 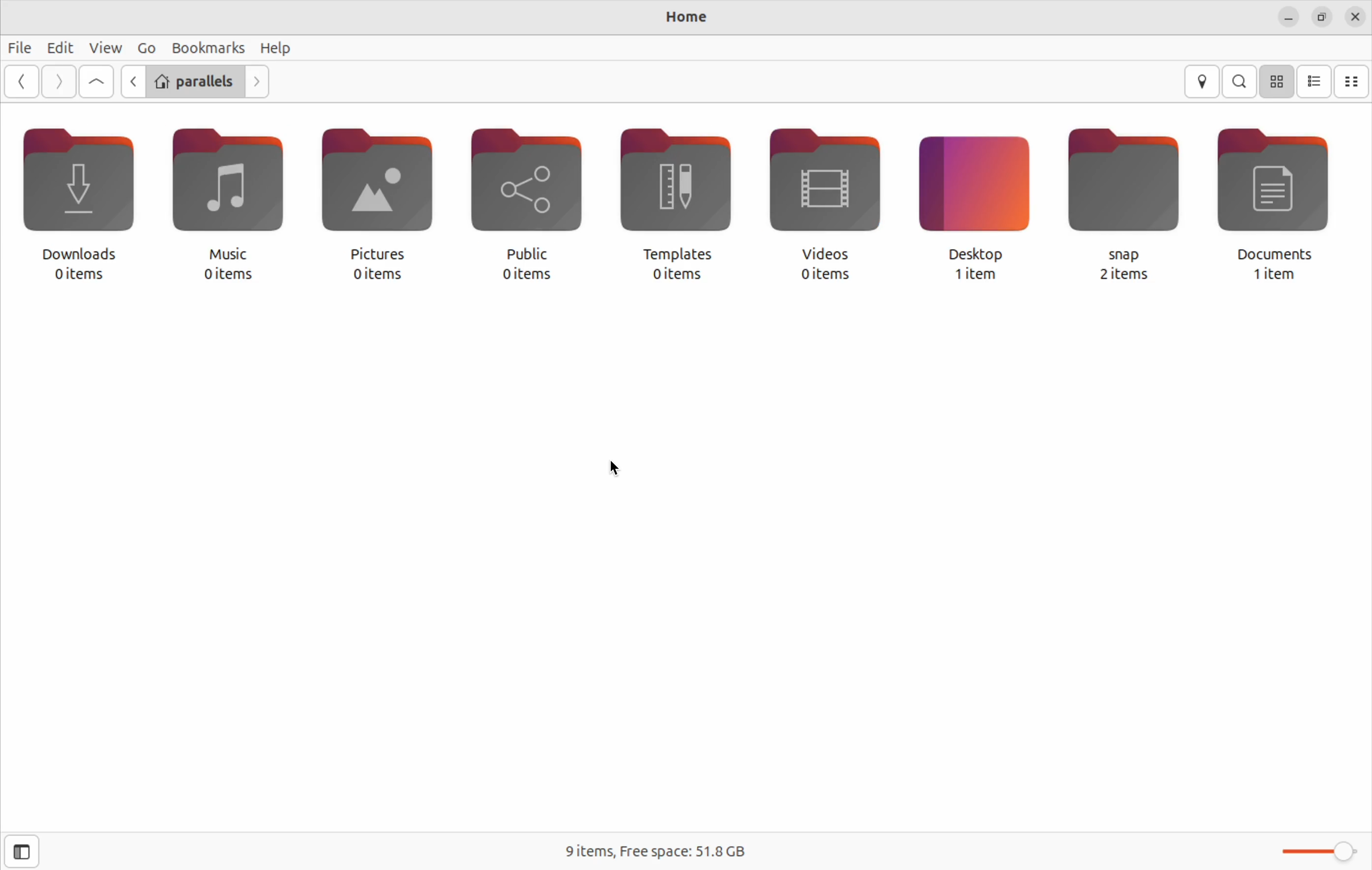 What do you see at coordinates (23, 81) in the screenshot?
I see `go previous` at bounding box center [23, 81].